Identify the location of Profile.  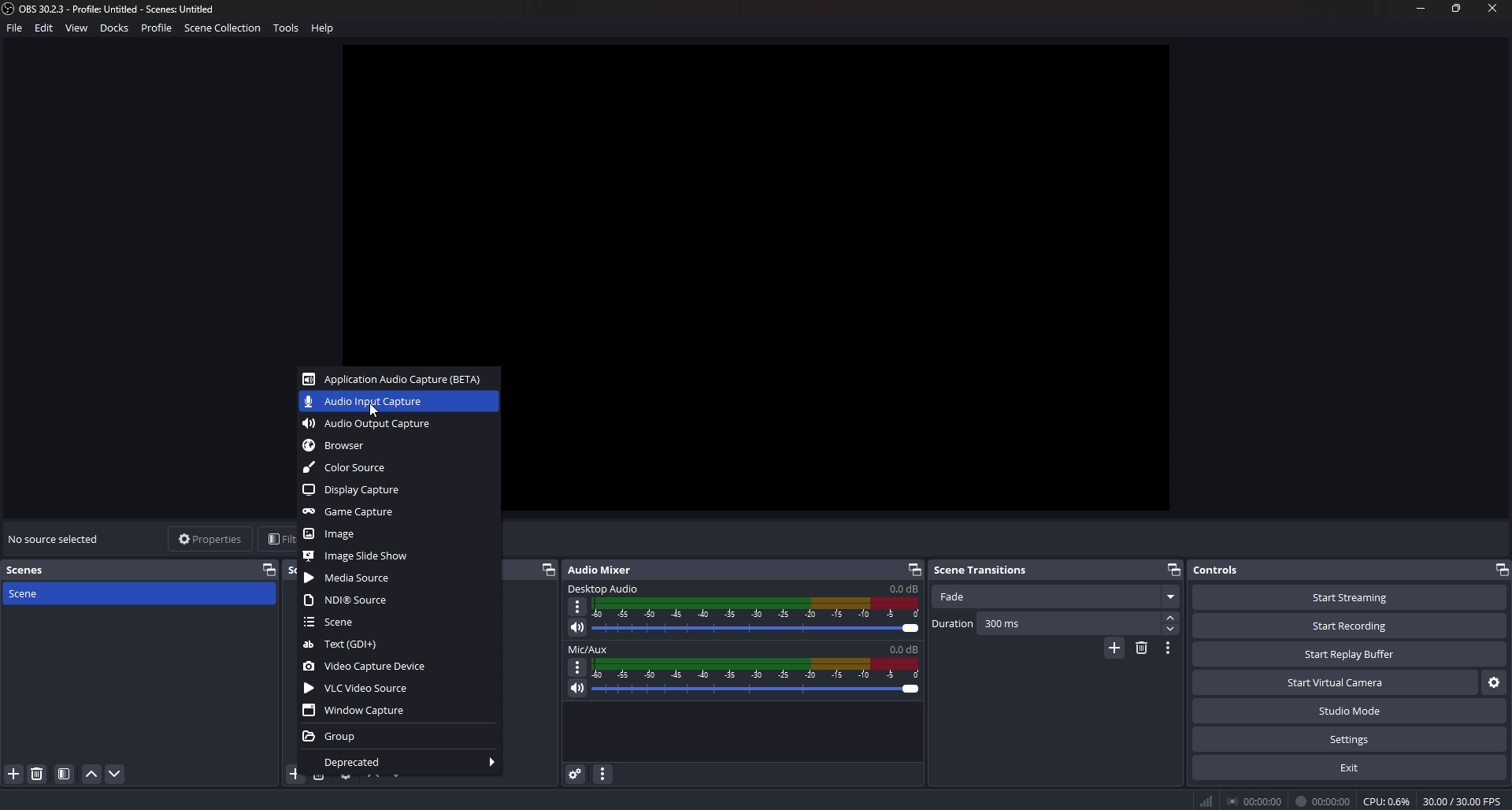
(157, 29).